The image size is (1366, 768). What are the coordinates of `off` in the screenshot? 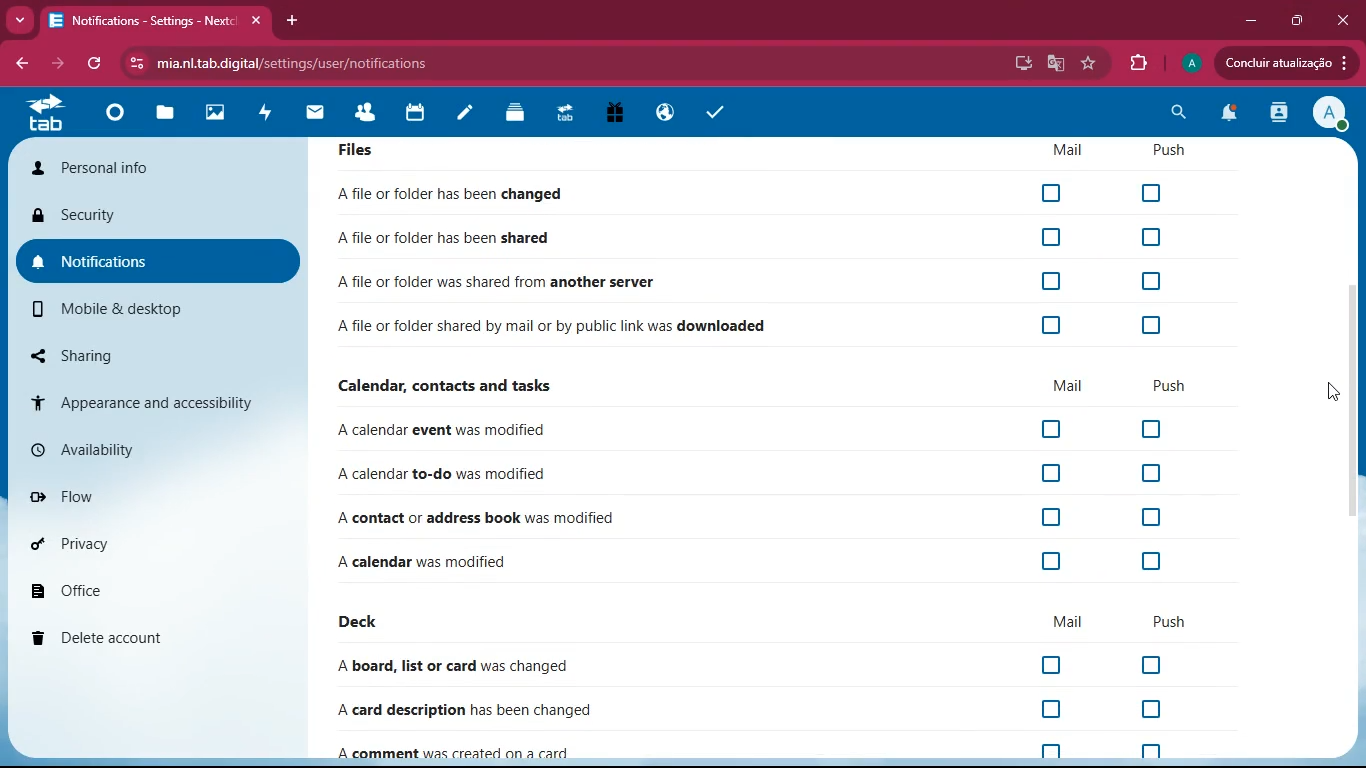 It's located at (1054, 520).